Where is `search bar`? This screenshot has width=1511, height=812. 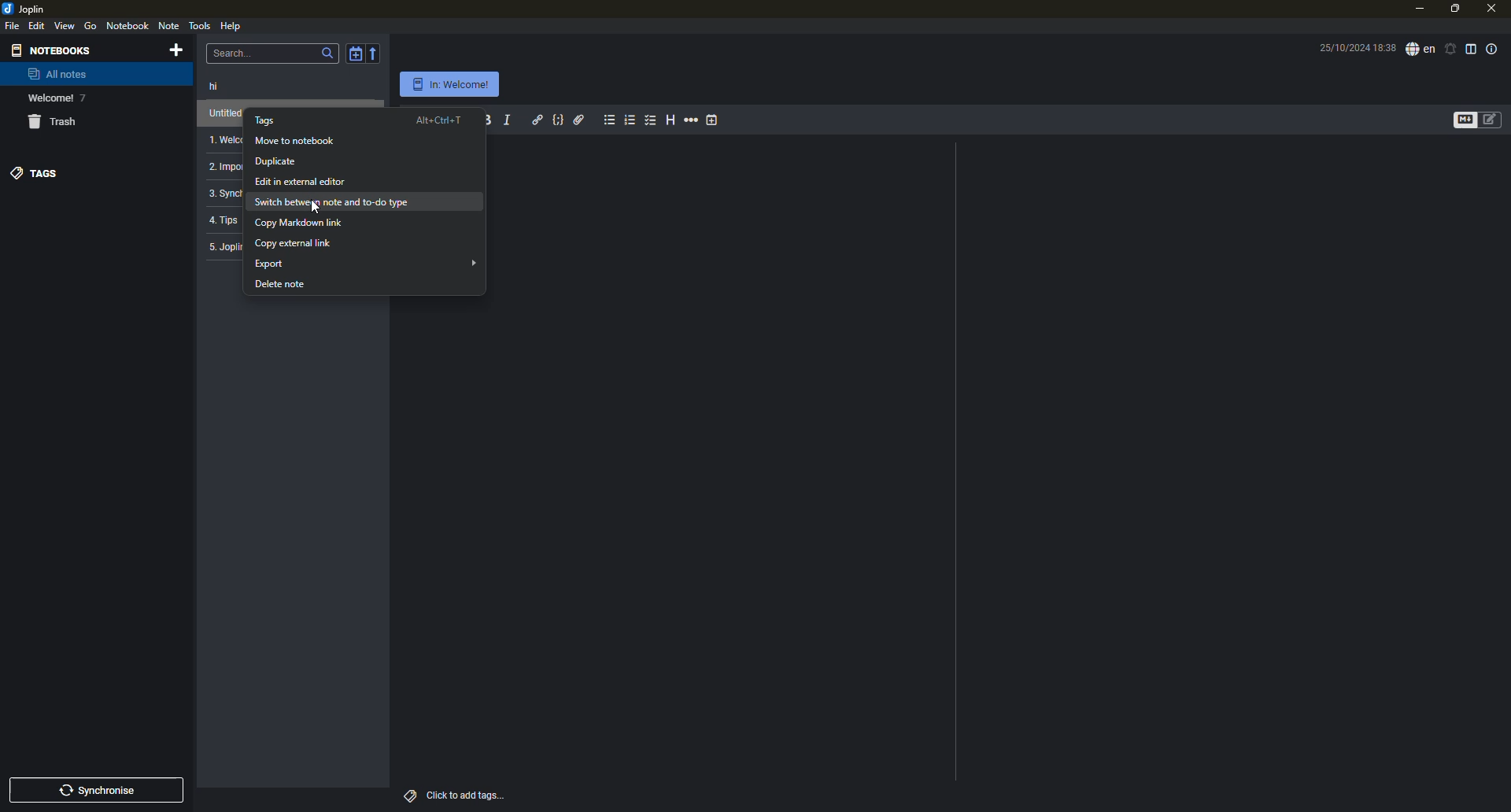 search bar is located at coordinates (271, 53).